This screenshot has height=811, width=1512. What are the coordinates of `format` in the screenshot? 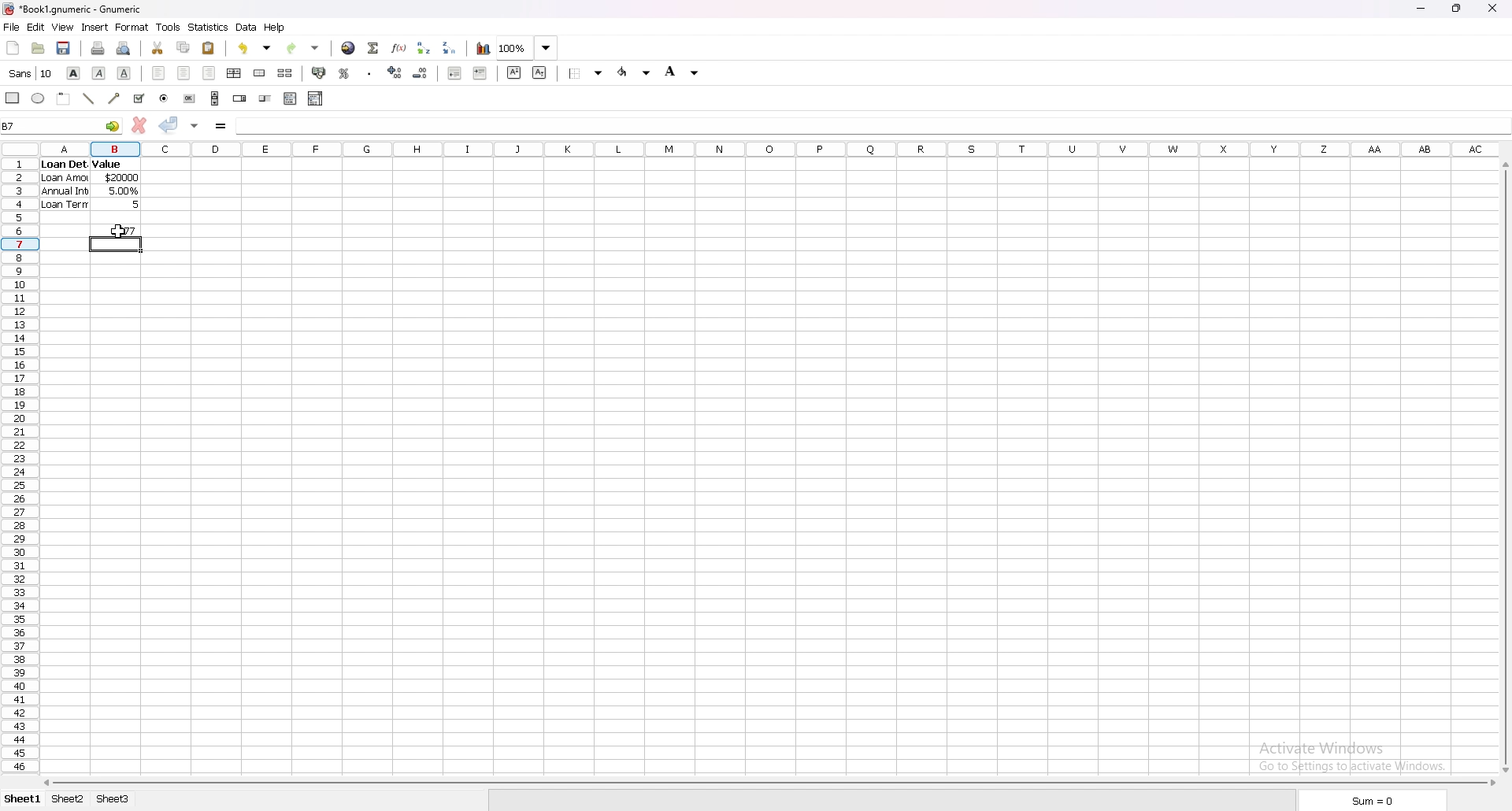 It's located at (133, 27).